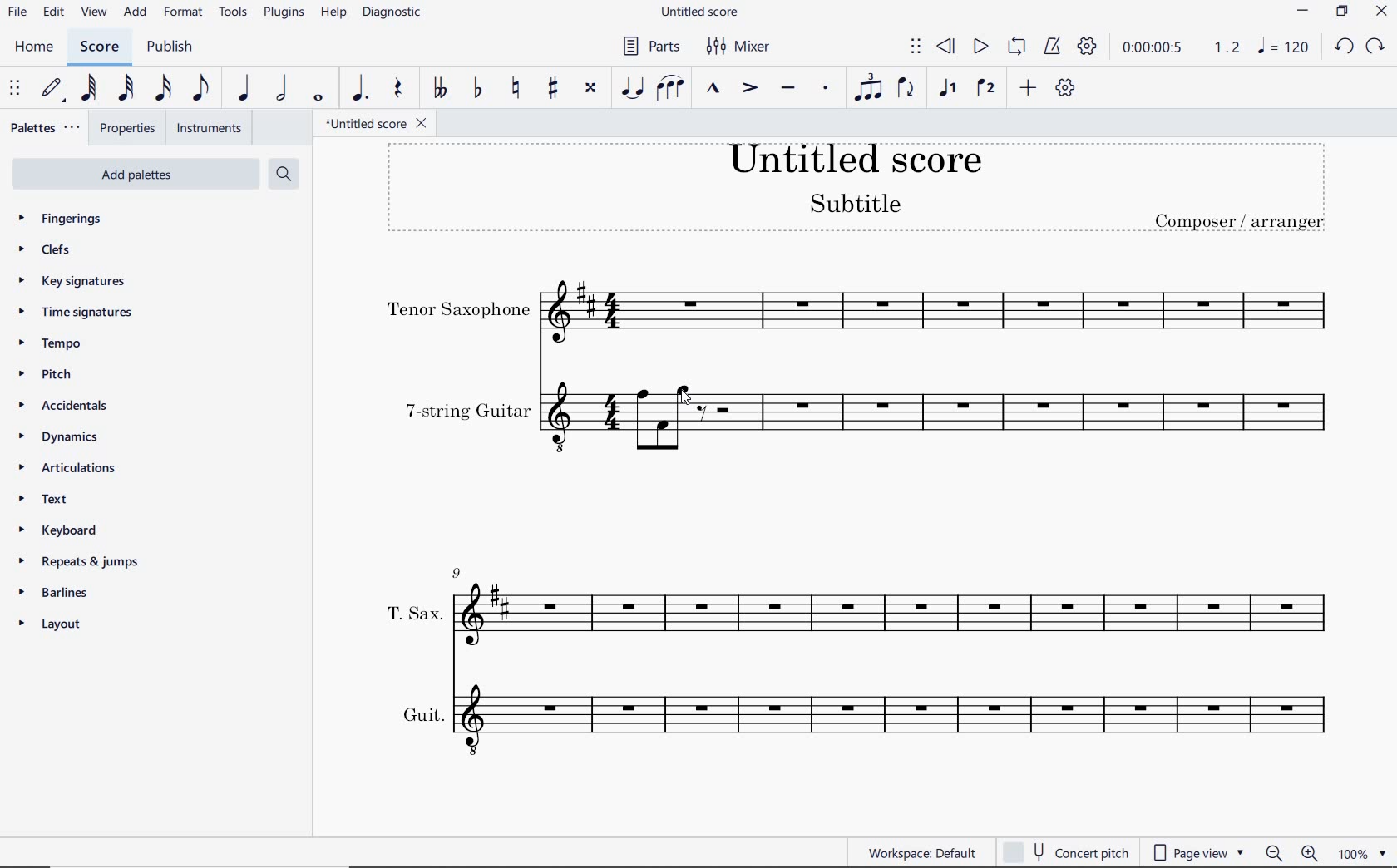 The image size is (1397, 868). I want to click on UNDO, so click(1344, 46).